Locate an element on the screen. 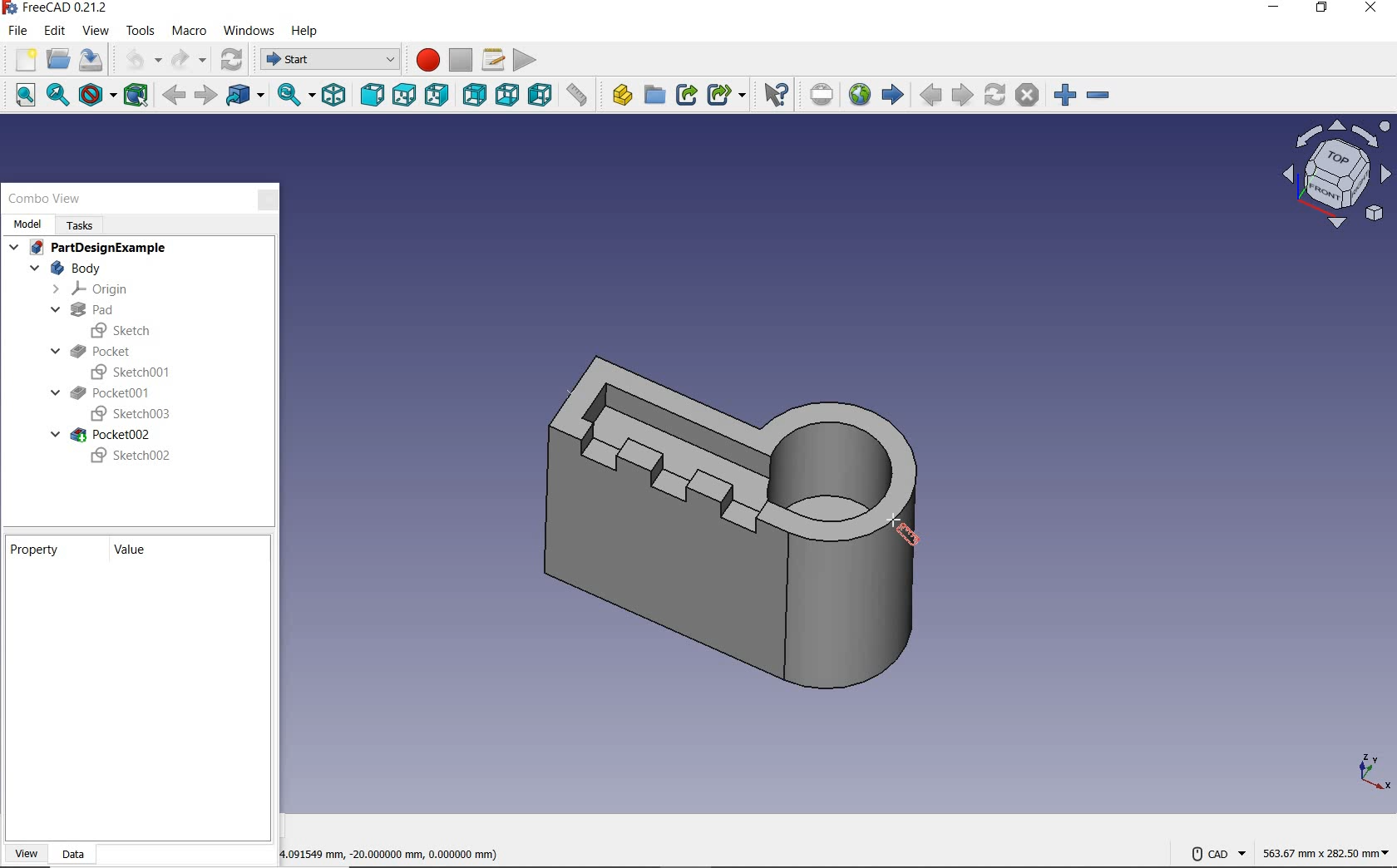 This screenshot has height=868, width=1397. stop macro recording is located at coordinates (460, 61).